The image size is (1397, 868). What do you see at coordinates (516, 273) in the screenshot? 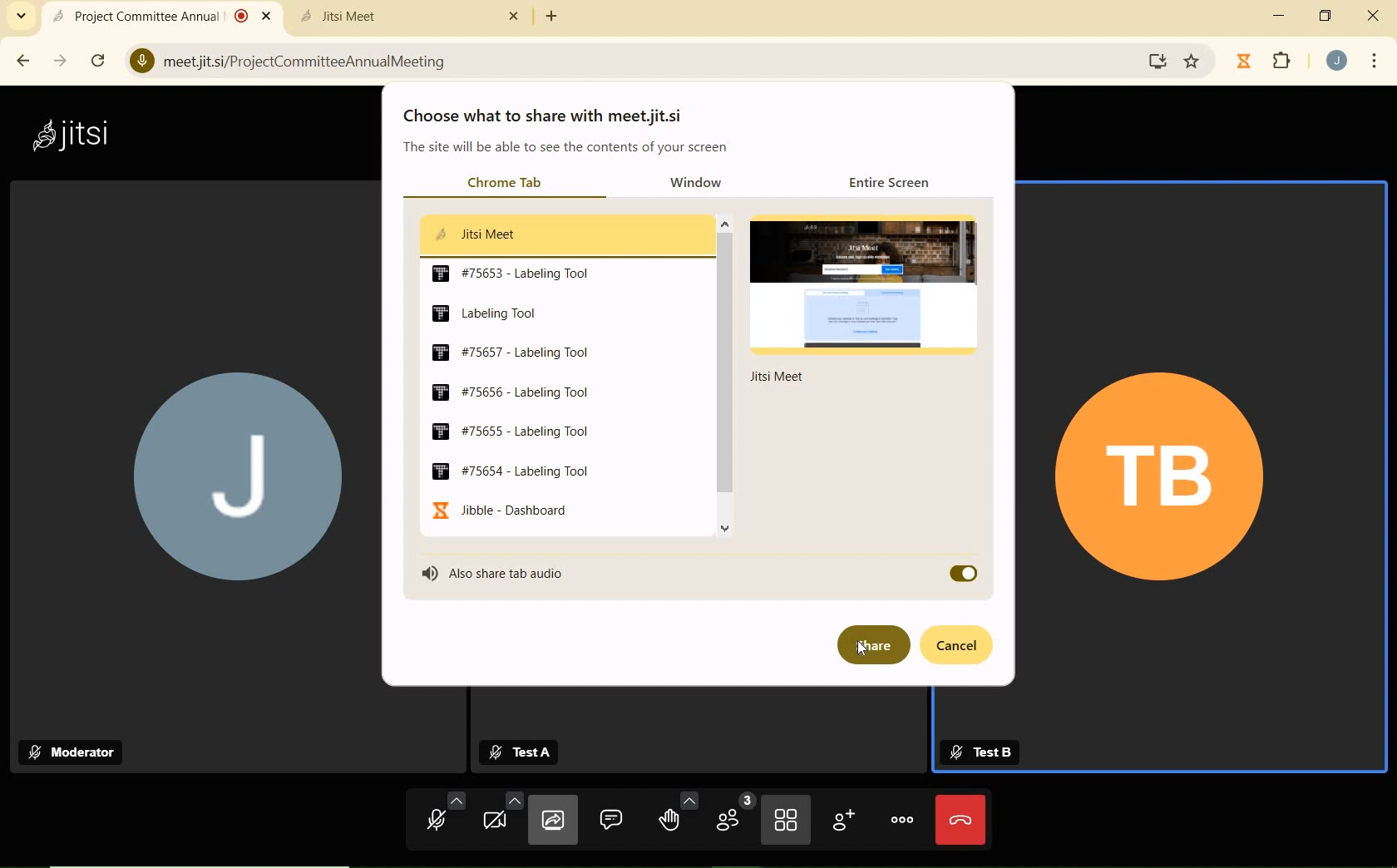
I see `#75653 - Labeling Tool` at bounding box center [516, 273].